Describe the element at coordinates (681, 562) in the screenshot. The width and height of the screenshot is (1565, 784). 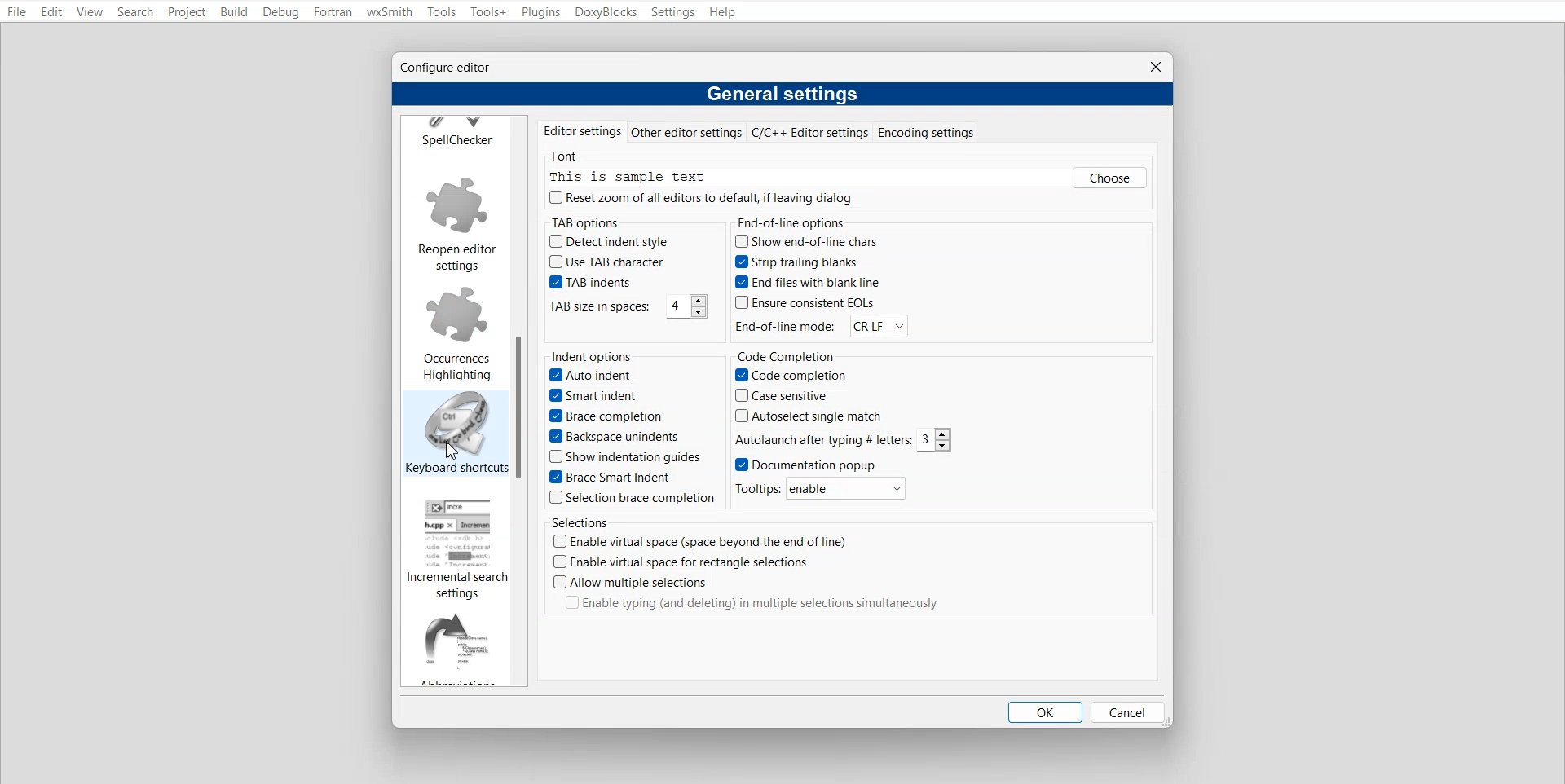
I see `(CJ Enable virtual space for rectangle selections` at that location.